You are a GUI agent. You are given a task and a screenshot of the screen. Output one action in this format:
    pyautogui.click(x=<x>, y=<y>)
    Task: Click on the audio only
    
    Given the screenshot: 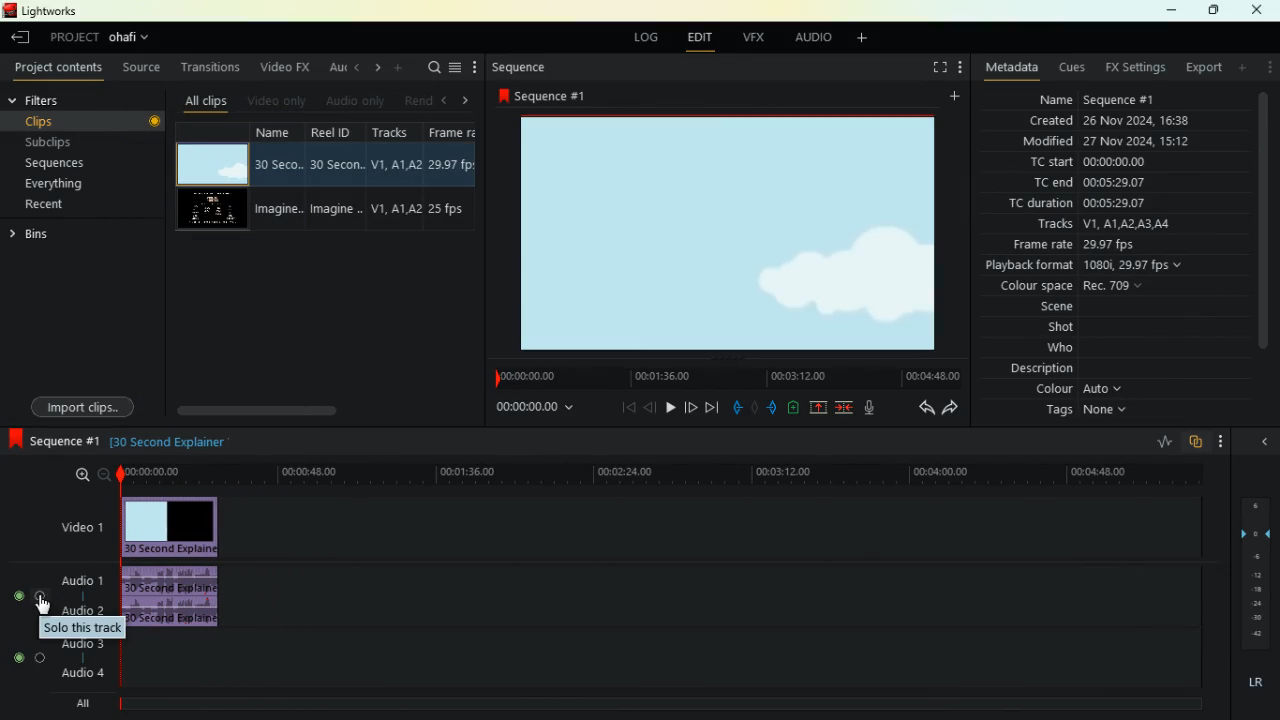 What is the action you would take?
    pyautogui.click(x=357, y=101)
    